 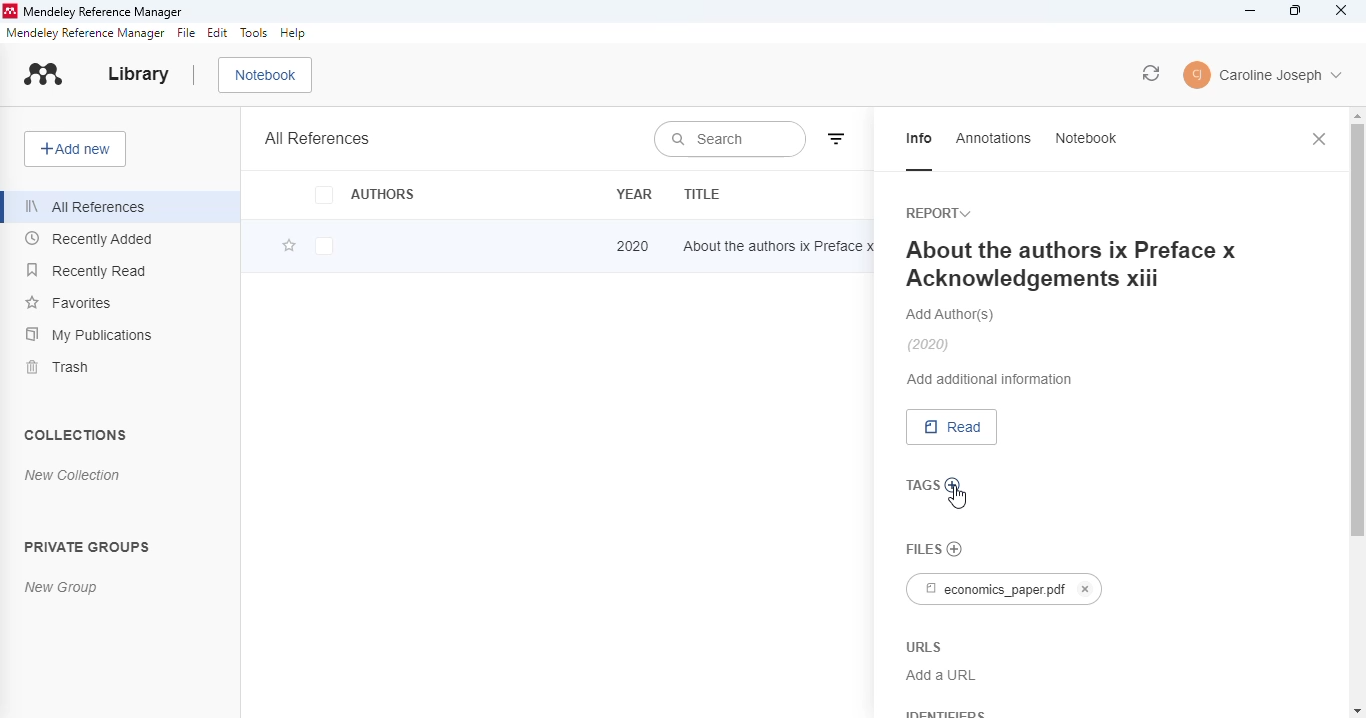 I want to click on About the authors ix Preface x Acknowledgements xiii, so click(x=1071, y=263).